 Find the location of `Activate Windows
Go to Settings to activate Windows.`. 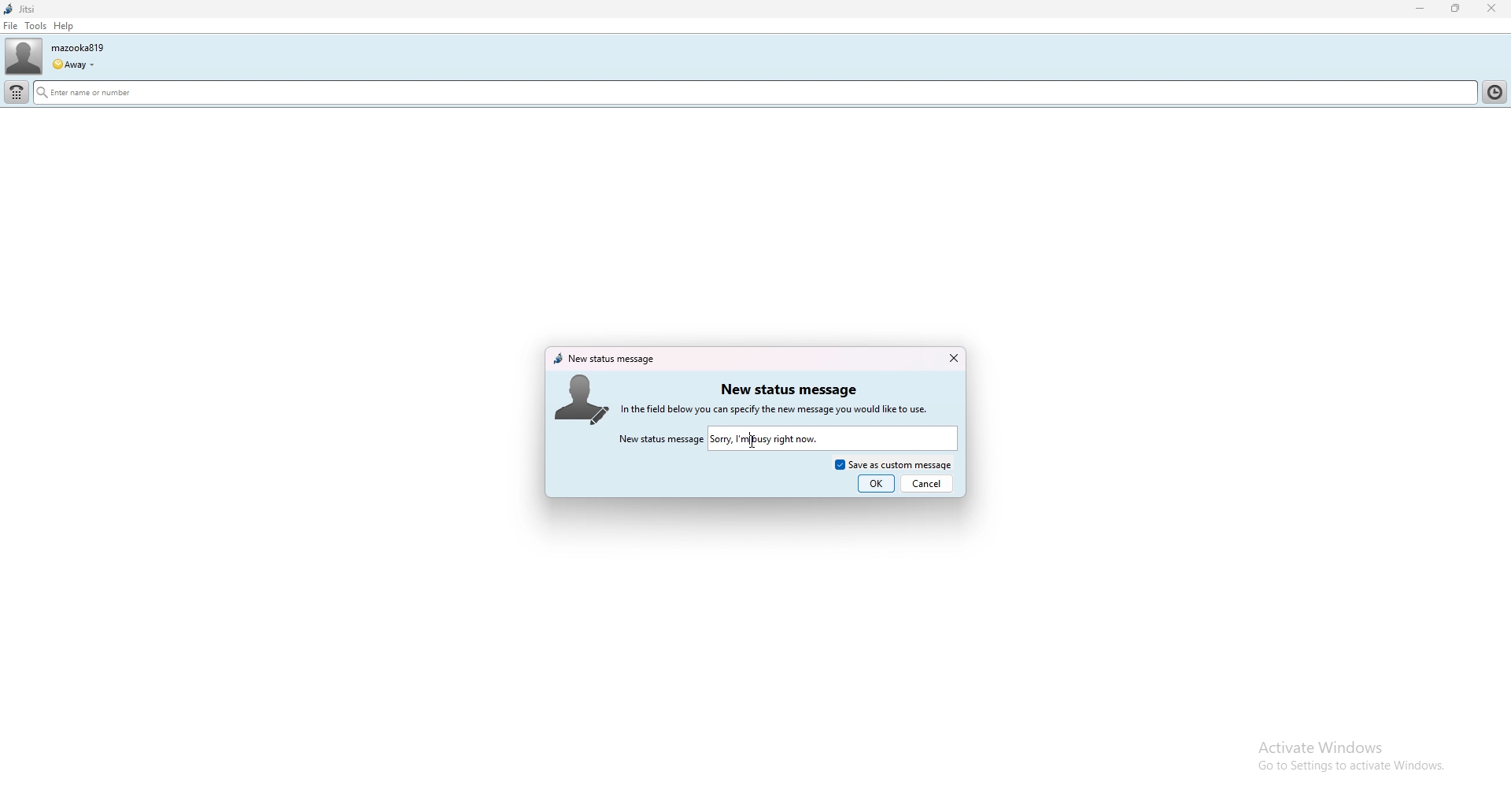

Activate Windows
Go to Settings to activate Windows. is located at coordinates (1336, 755).